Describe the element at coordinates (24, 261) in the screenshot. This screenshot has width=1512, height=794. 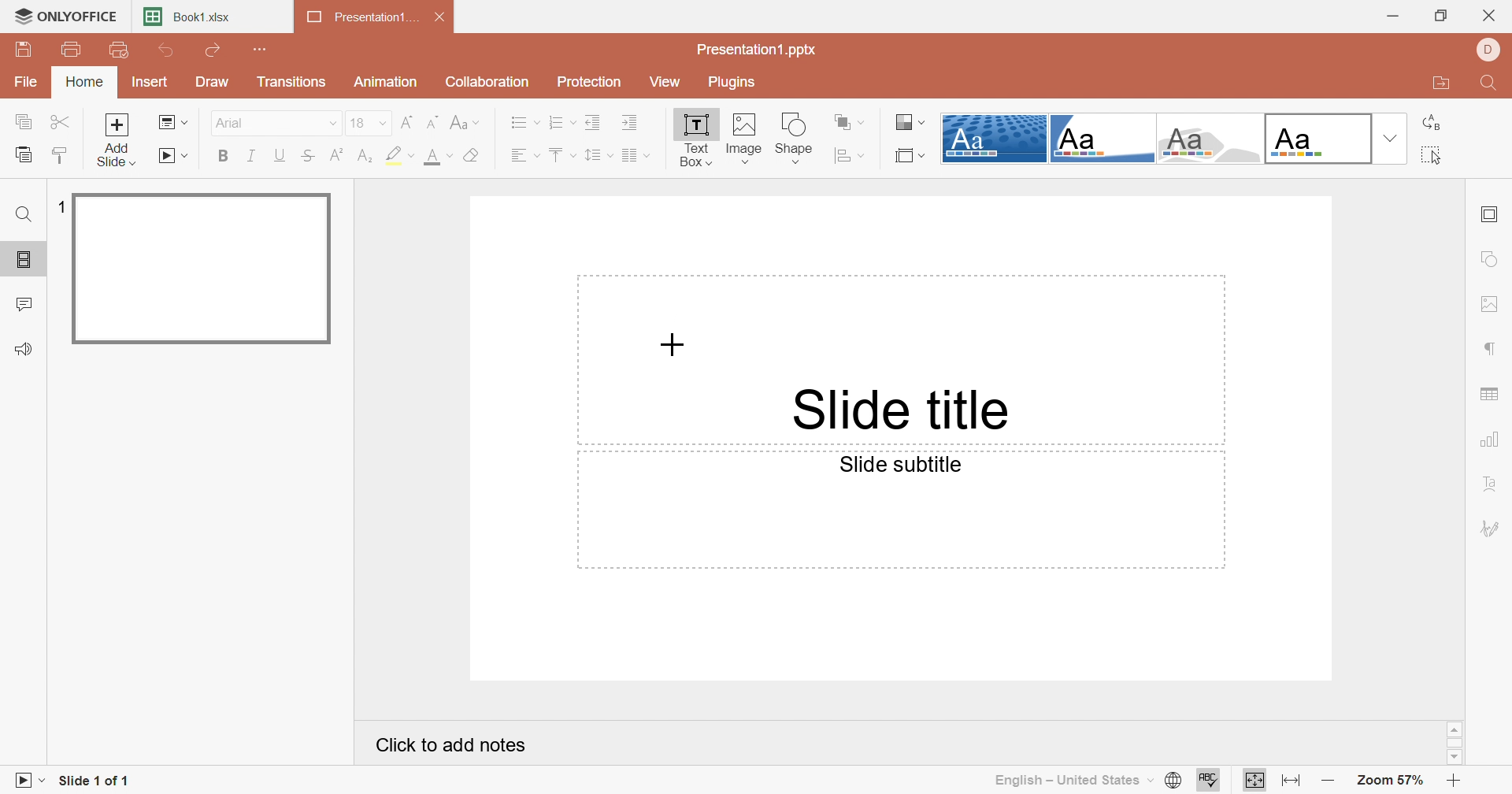
I see `Slides` at that location.